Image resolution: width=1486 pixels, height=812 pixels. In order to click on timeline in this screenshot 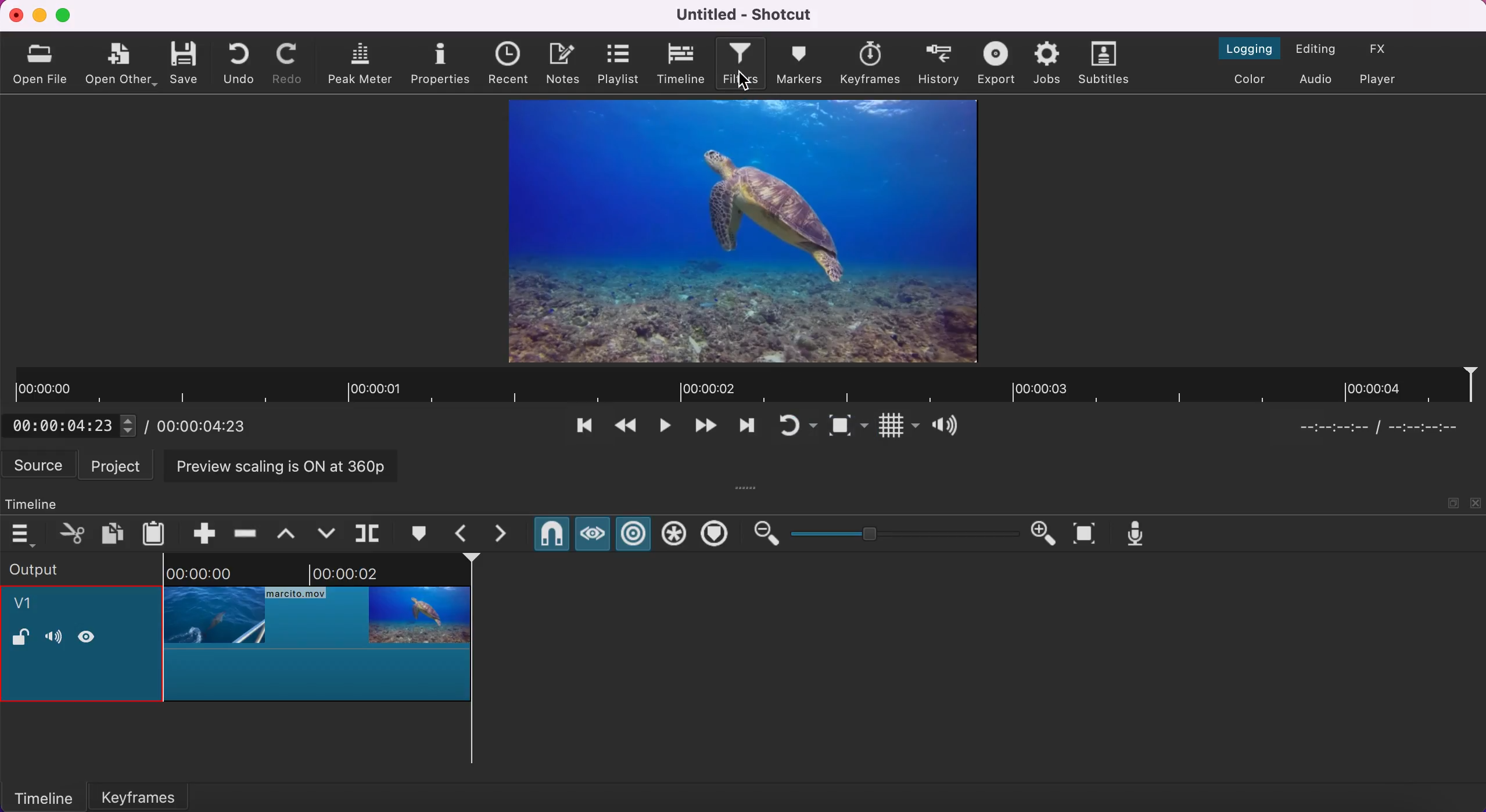, I will do `click(43, 796)`.